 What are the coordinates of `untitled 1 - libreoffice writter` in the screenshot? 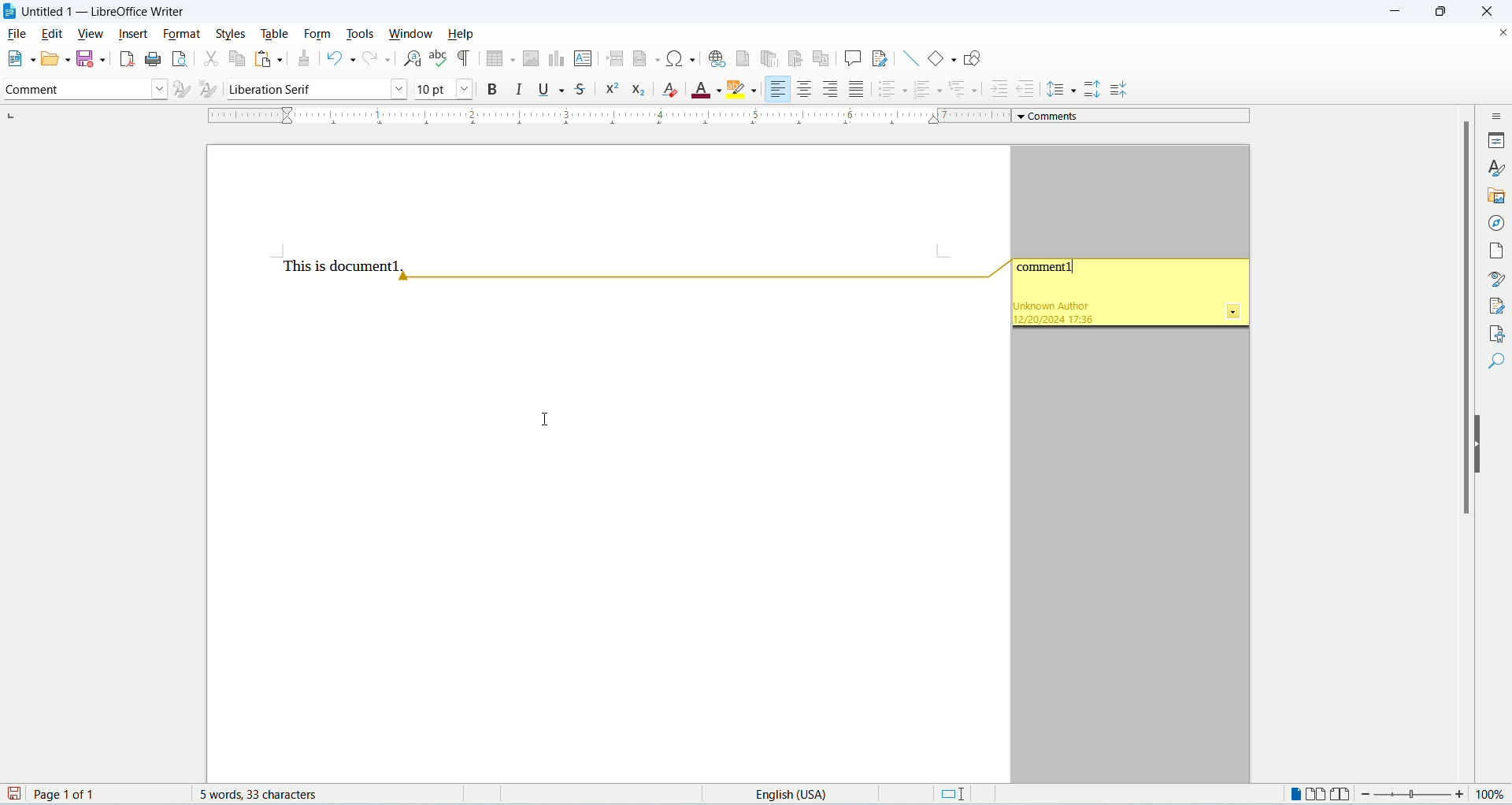 It's located at (108, 12).